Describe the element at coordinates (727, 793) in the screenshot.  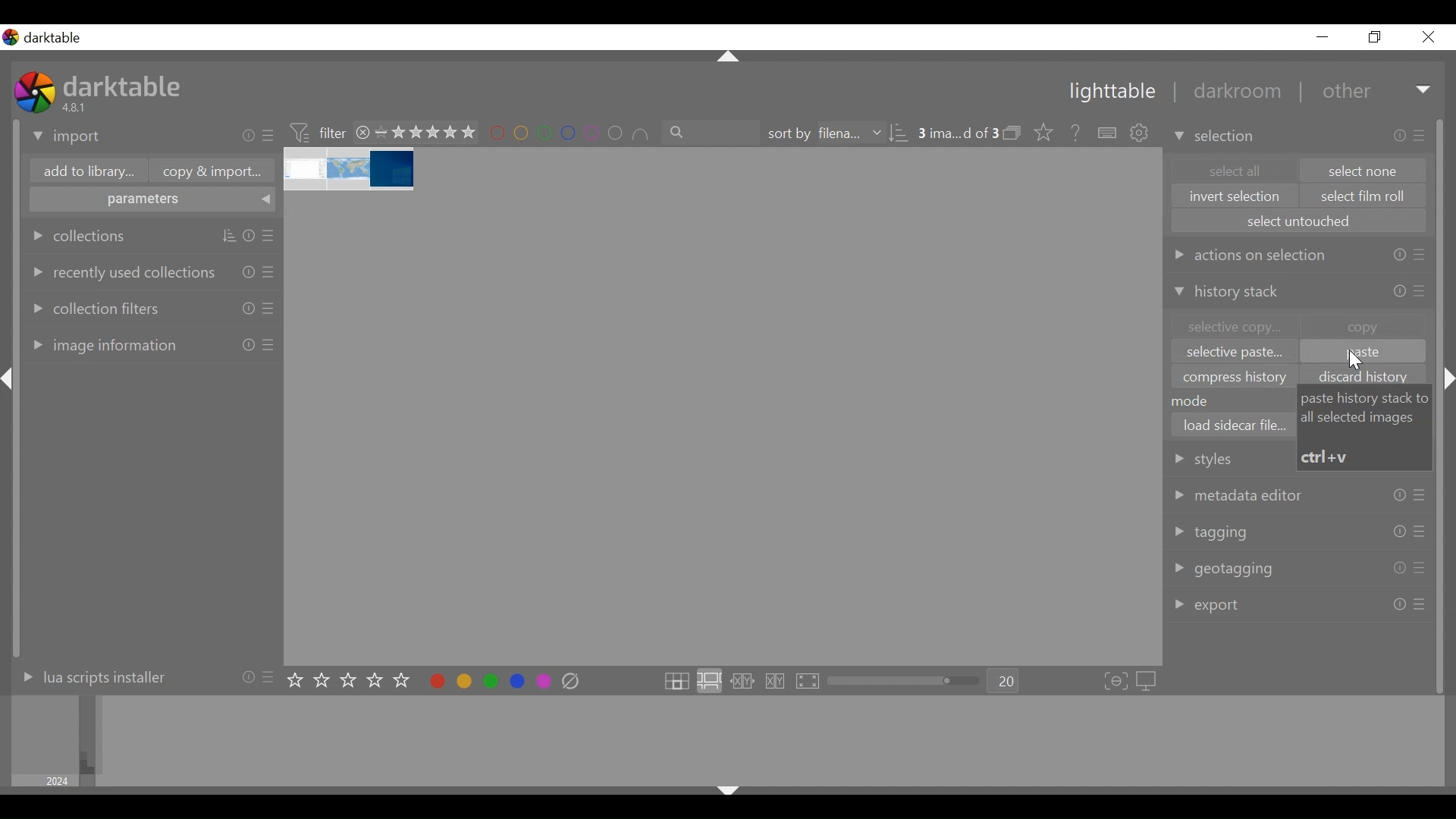
I see `Collapse ` at that location.